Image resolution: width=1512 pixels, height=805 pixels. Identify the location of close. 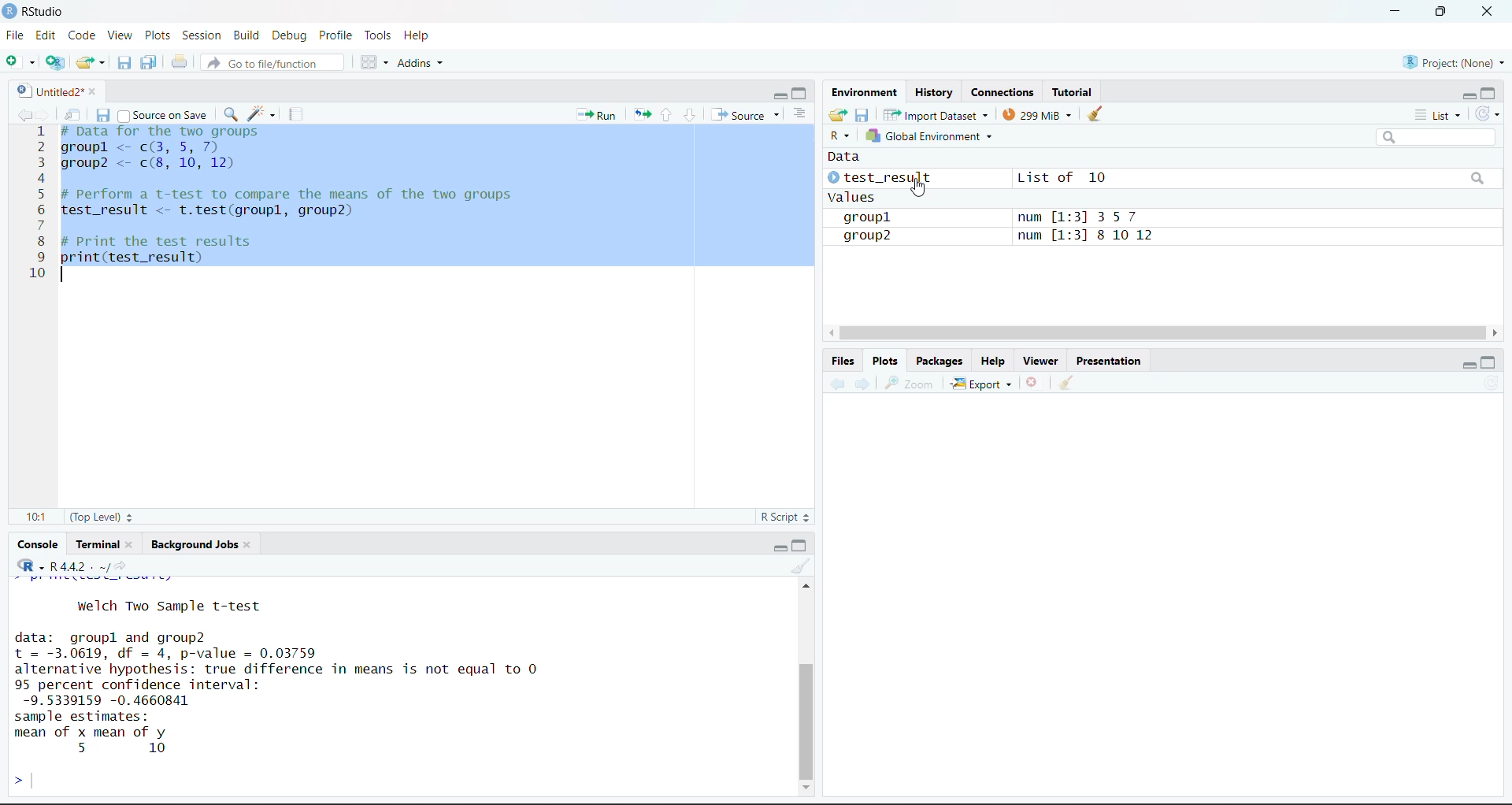
(1488, 11).